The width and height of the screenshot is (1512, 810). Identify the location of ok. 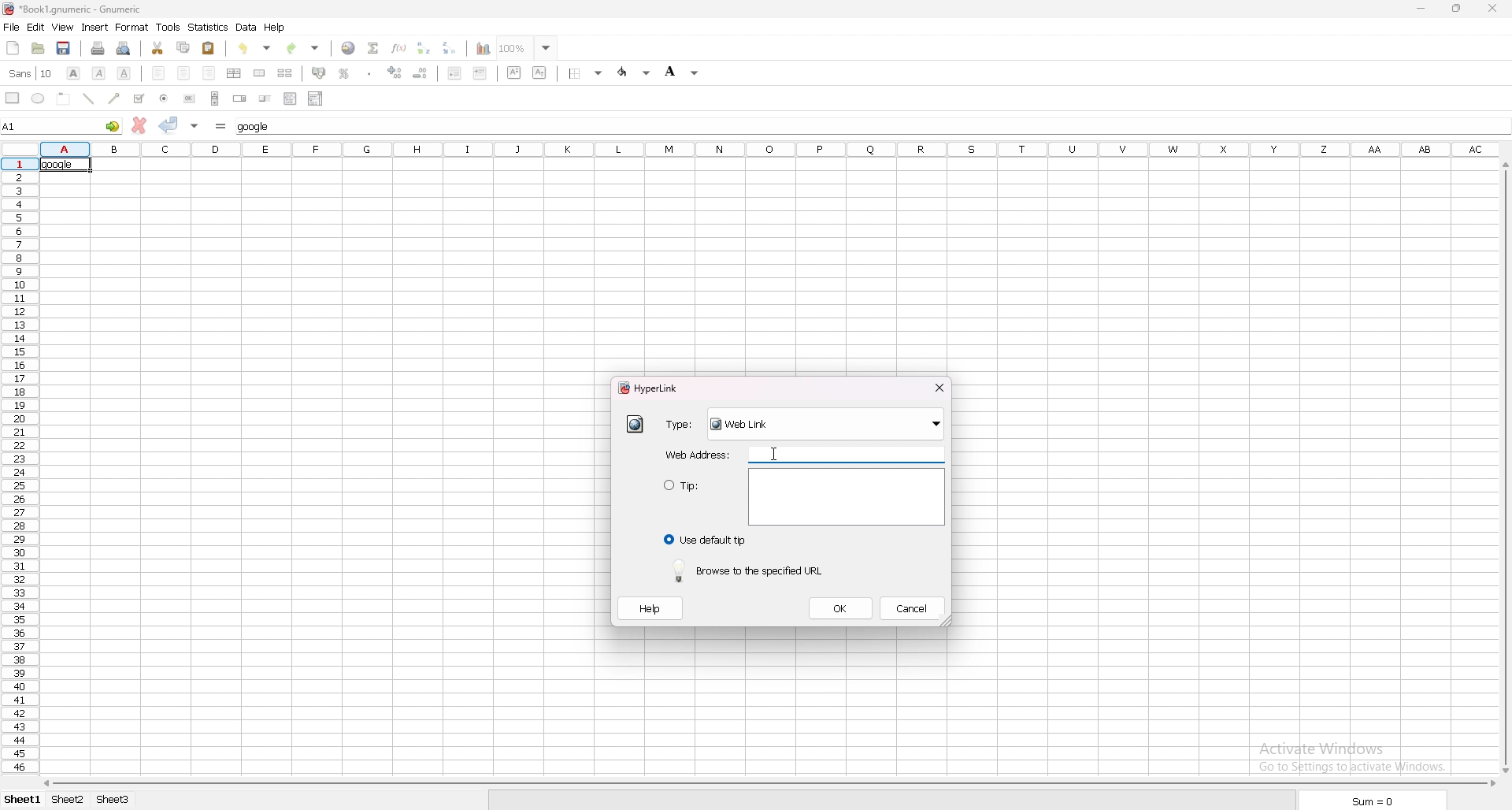
(841, 607).